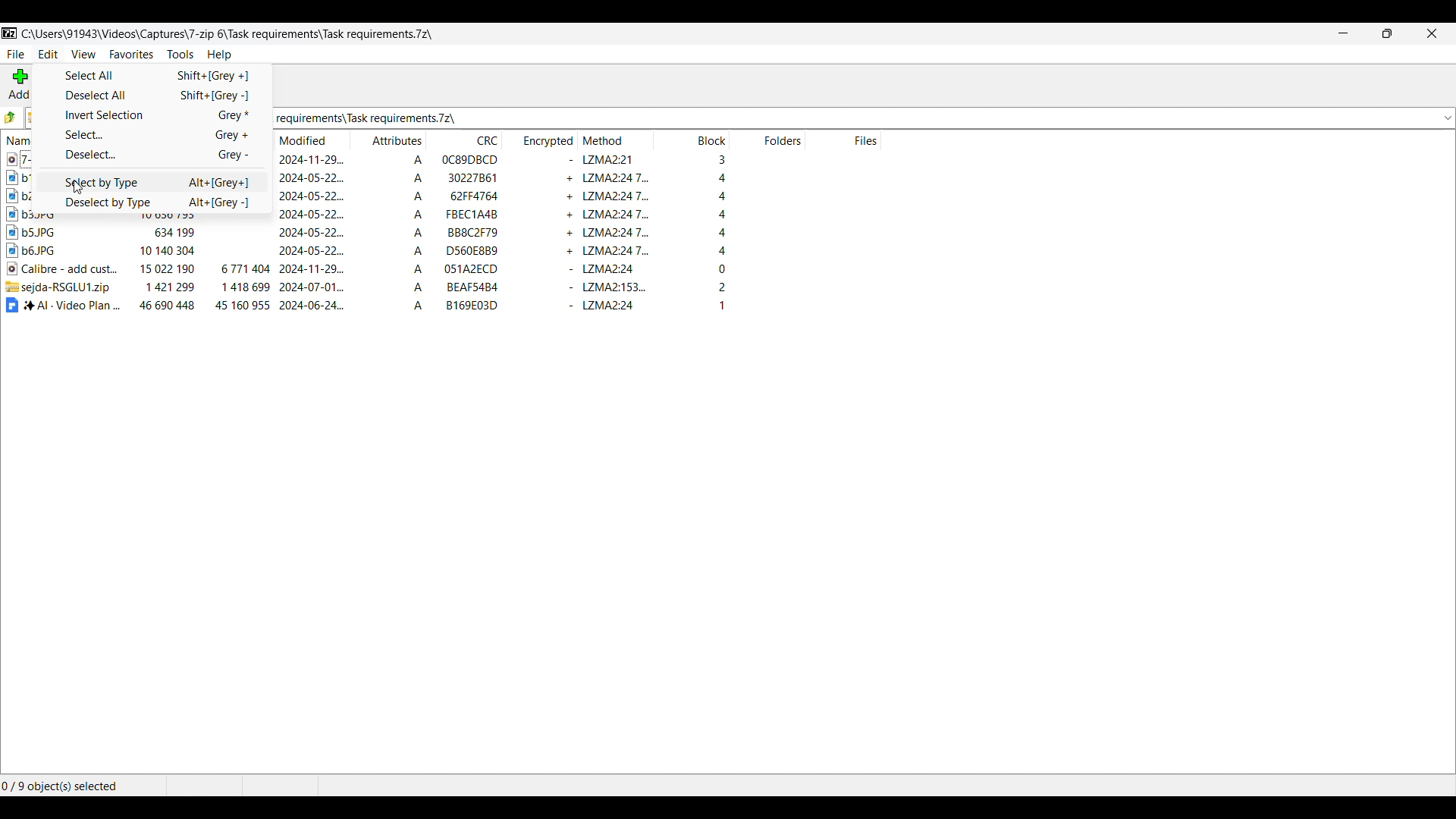 The image size is (1456, 819). I want to click on Attributes, so click(388, 234).